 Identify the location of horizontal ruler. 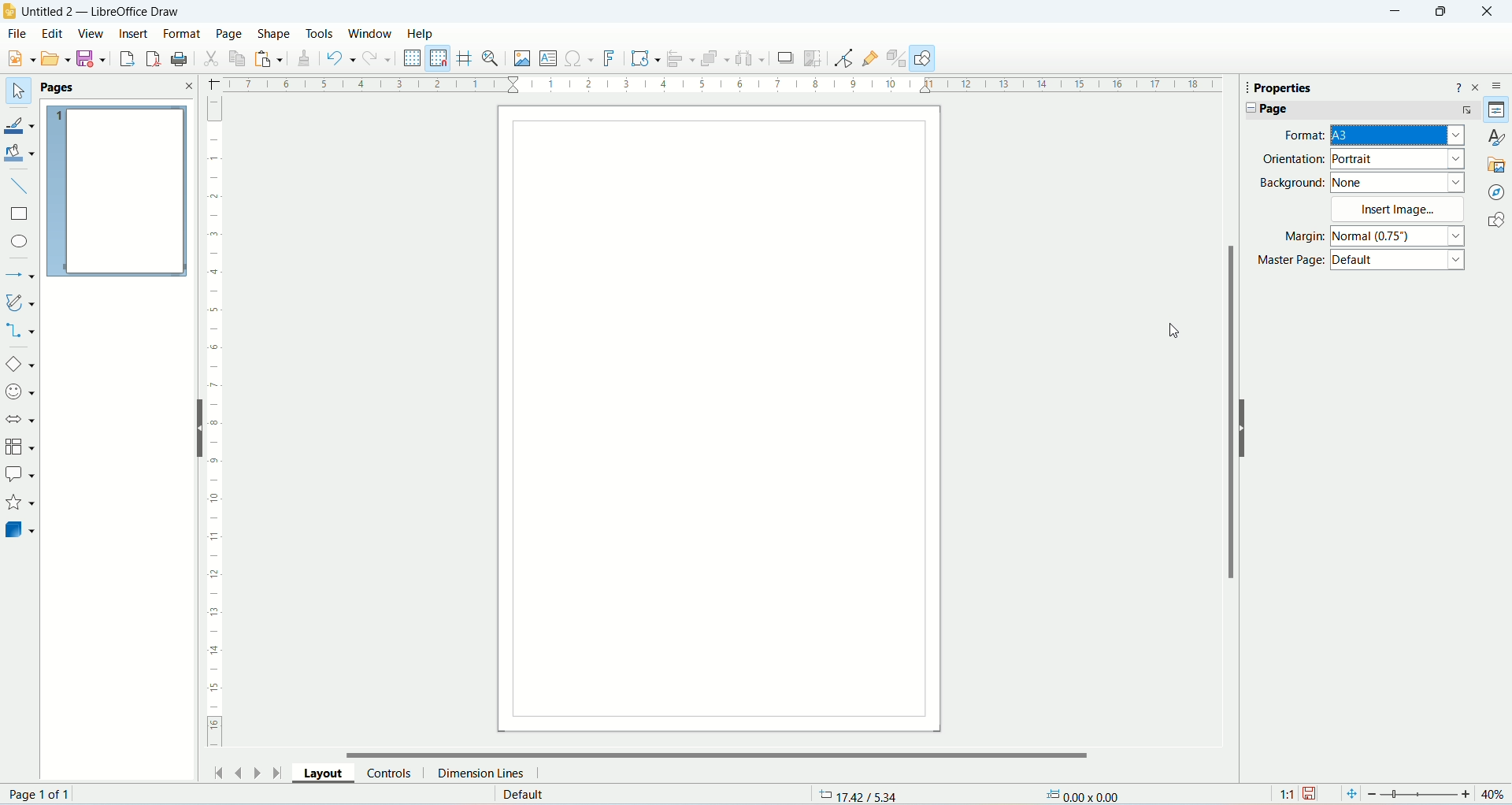
(719, 87).